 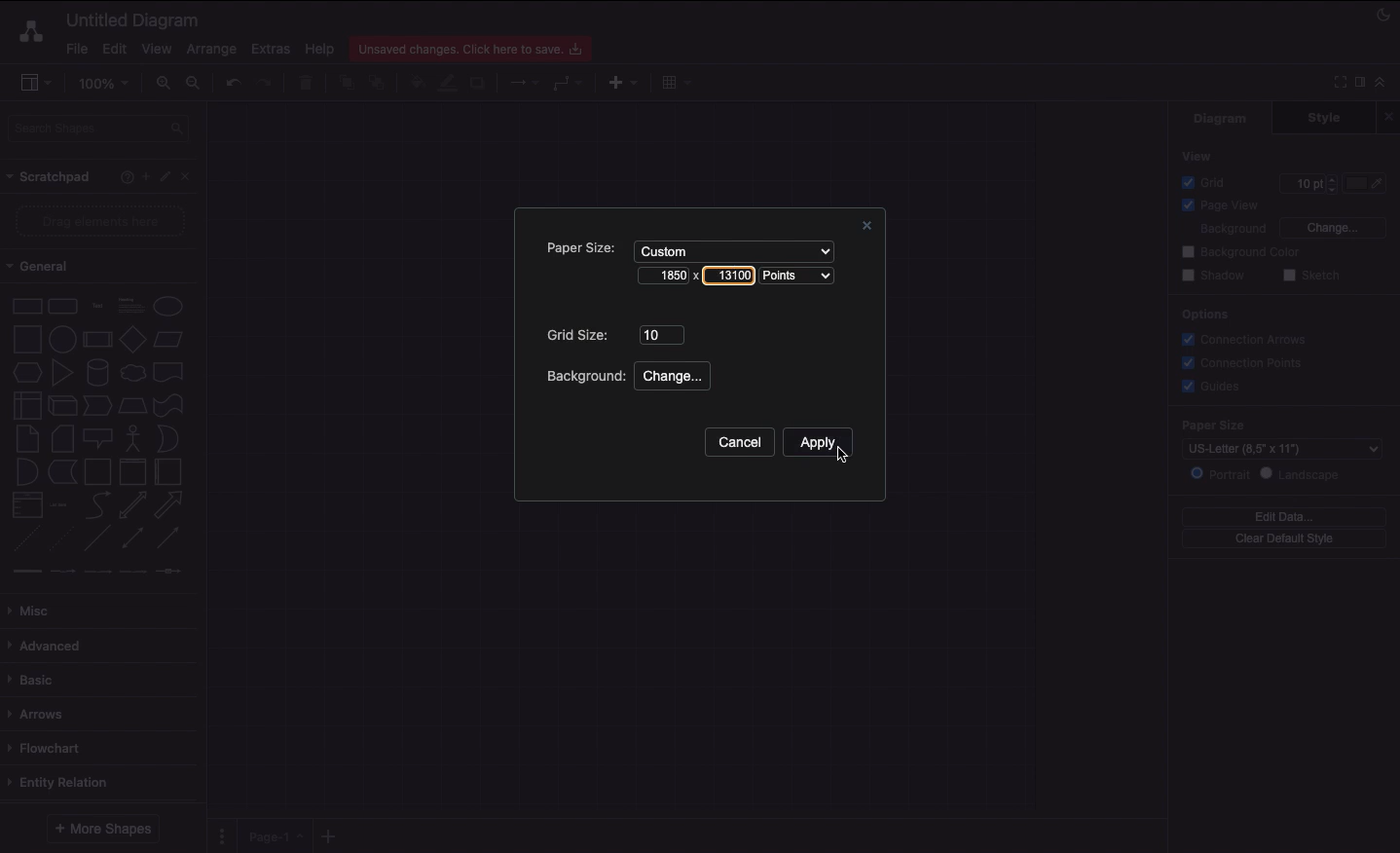 What do you see at coordinates (581, 335) in the screenshot?
I see `Grid size` at bounding box center [581, 335].